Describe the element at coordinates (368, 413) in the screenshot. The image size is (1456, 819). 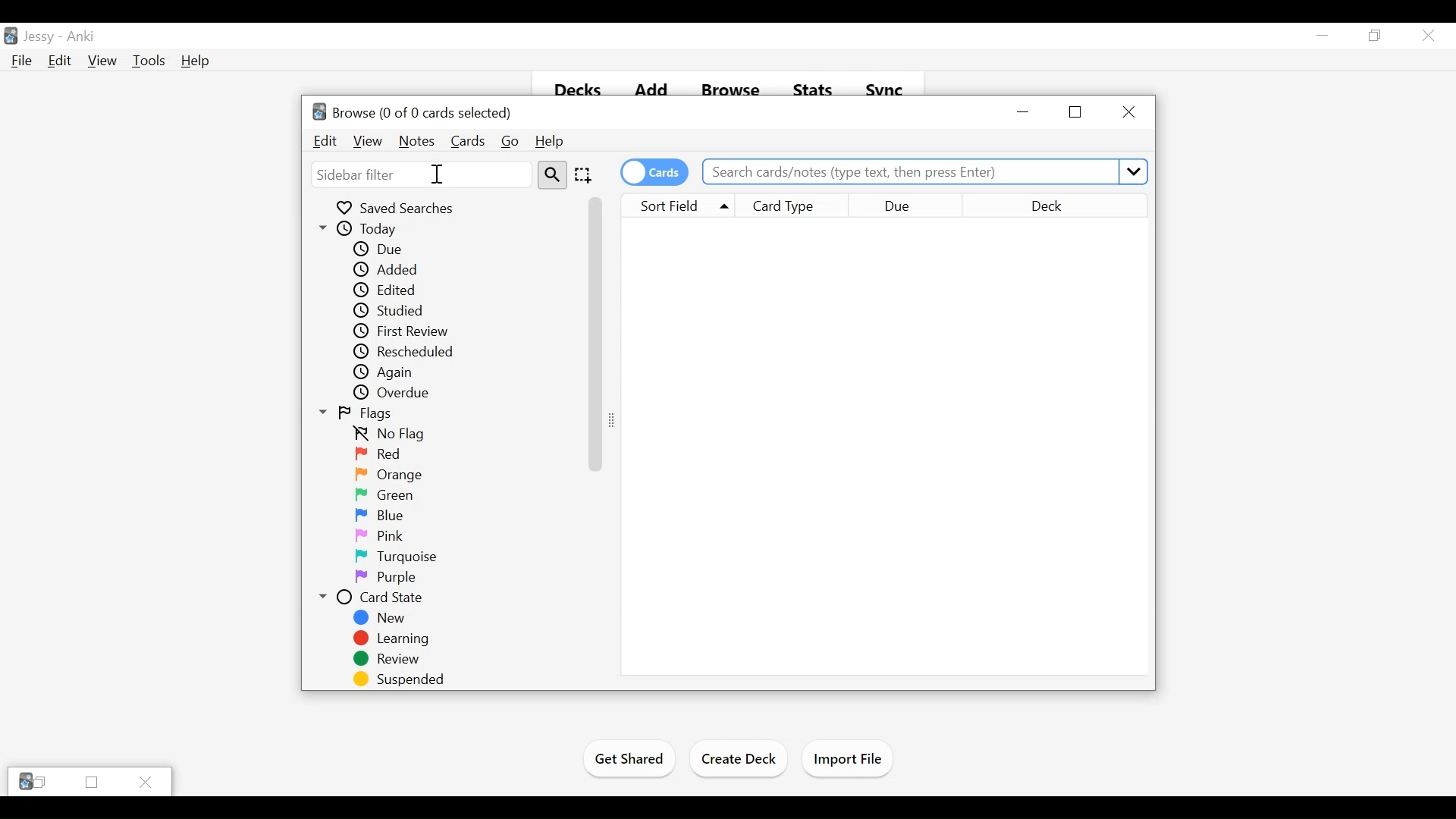
I see `Flags` at that location.